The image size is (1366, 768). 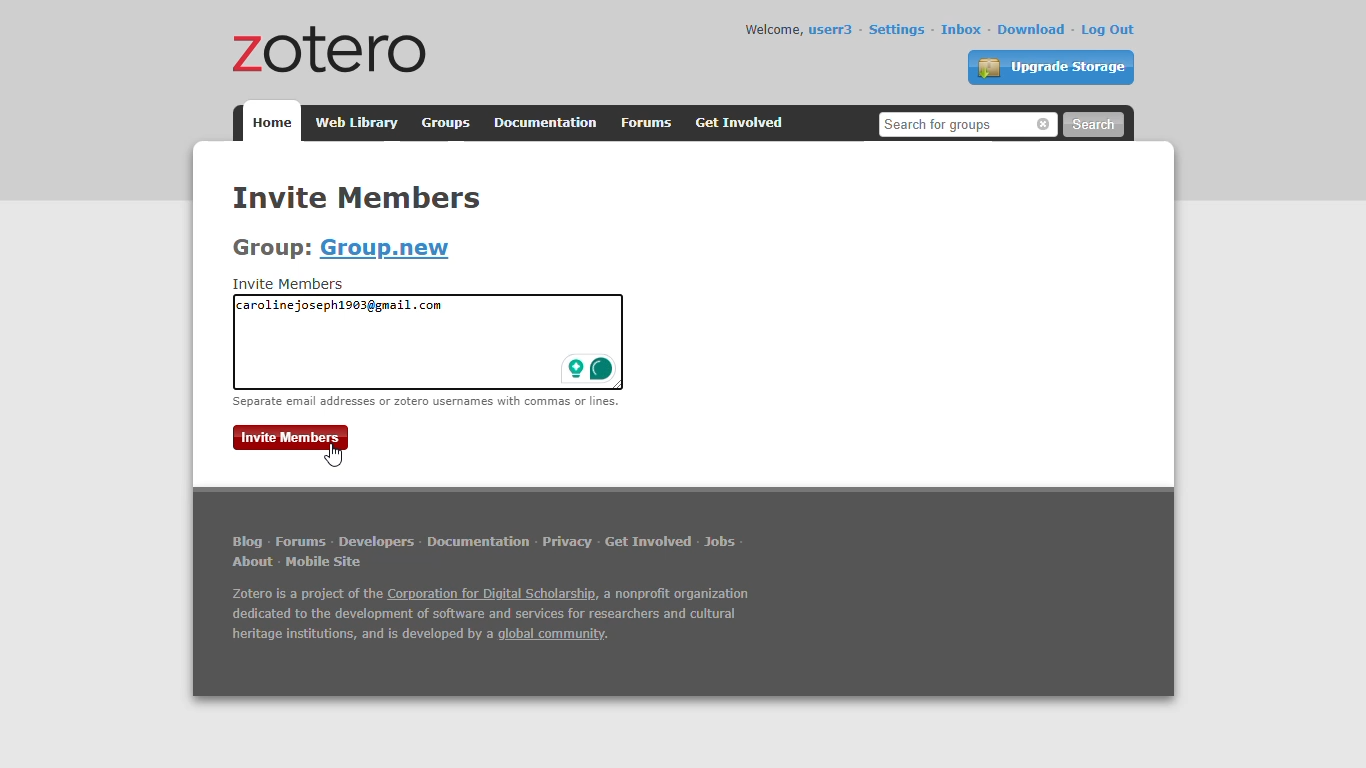 I want to click on grammarly extension, so click(x=588, y=369).